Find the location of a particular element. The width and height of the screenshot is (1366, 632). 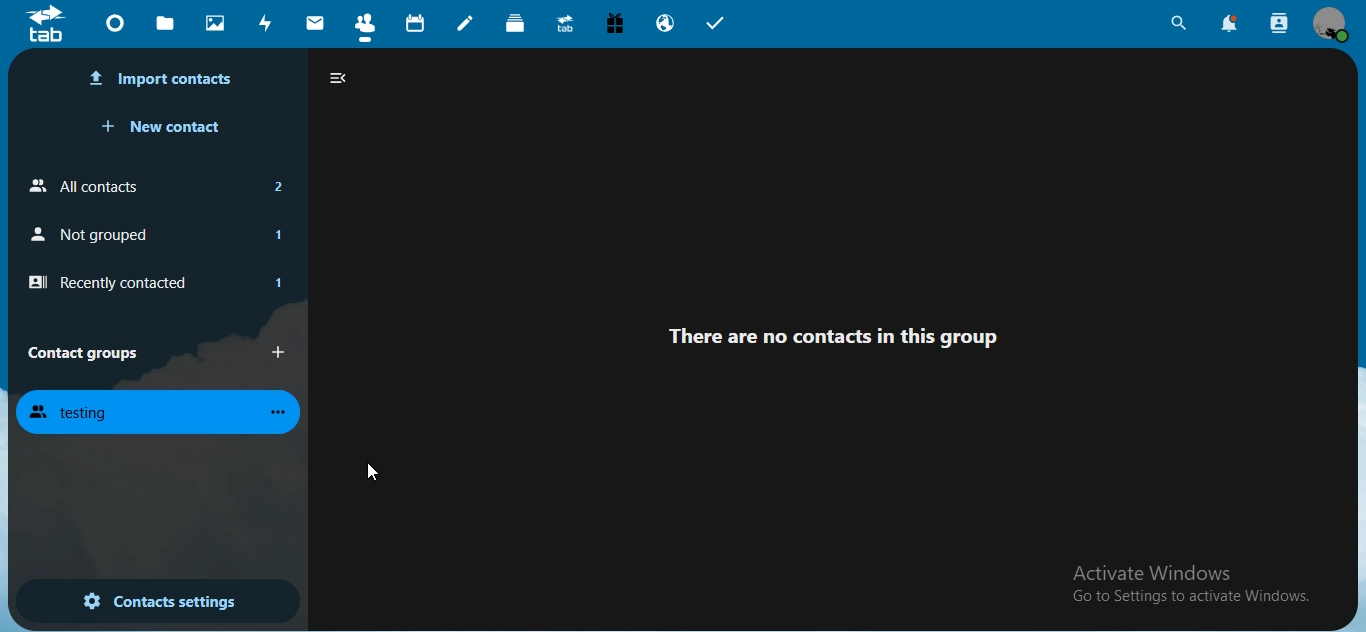

all contacts is located at coordinates (152, 183).